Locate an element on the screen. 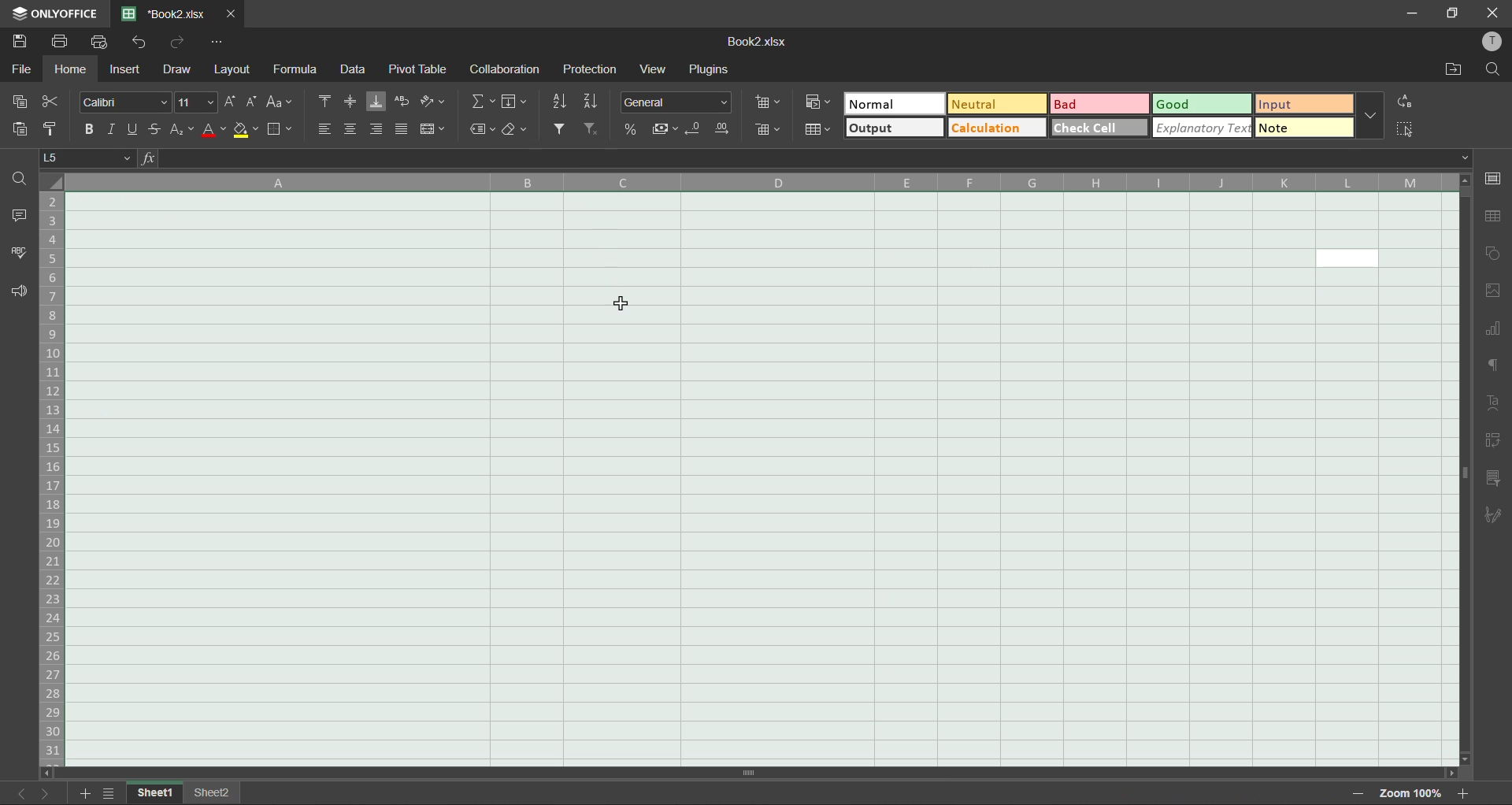  plugins is located at coordinates (706, 70).